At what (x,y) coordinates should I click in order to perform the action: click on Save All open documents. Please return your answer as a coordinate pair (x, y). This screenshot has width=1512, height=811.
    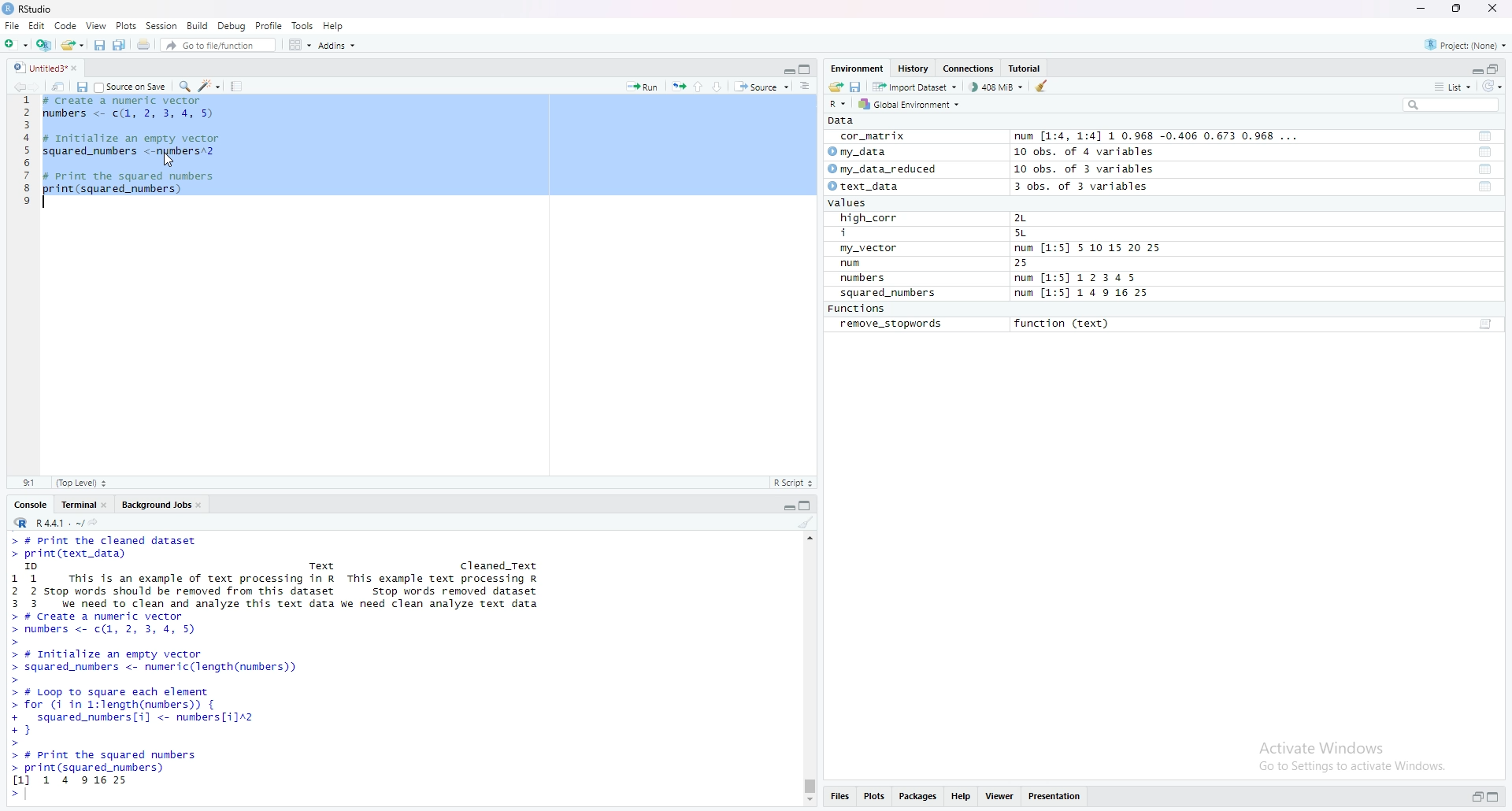
    Looking at the image, I should click on (120, 43).